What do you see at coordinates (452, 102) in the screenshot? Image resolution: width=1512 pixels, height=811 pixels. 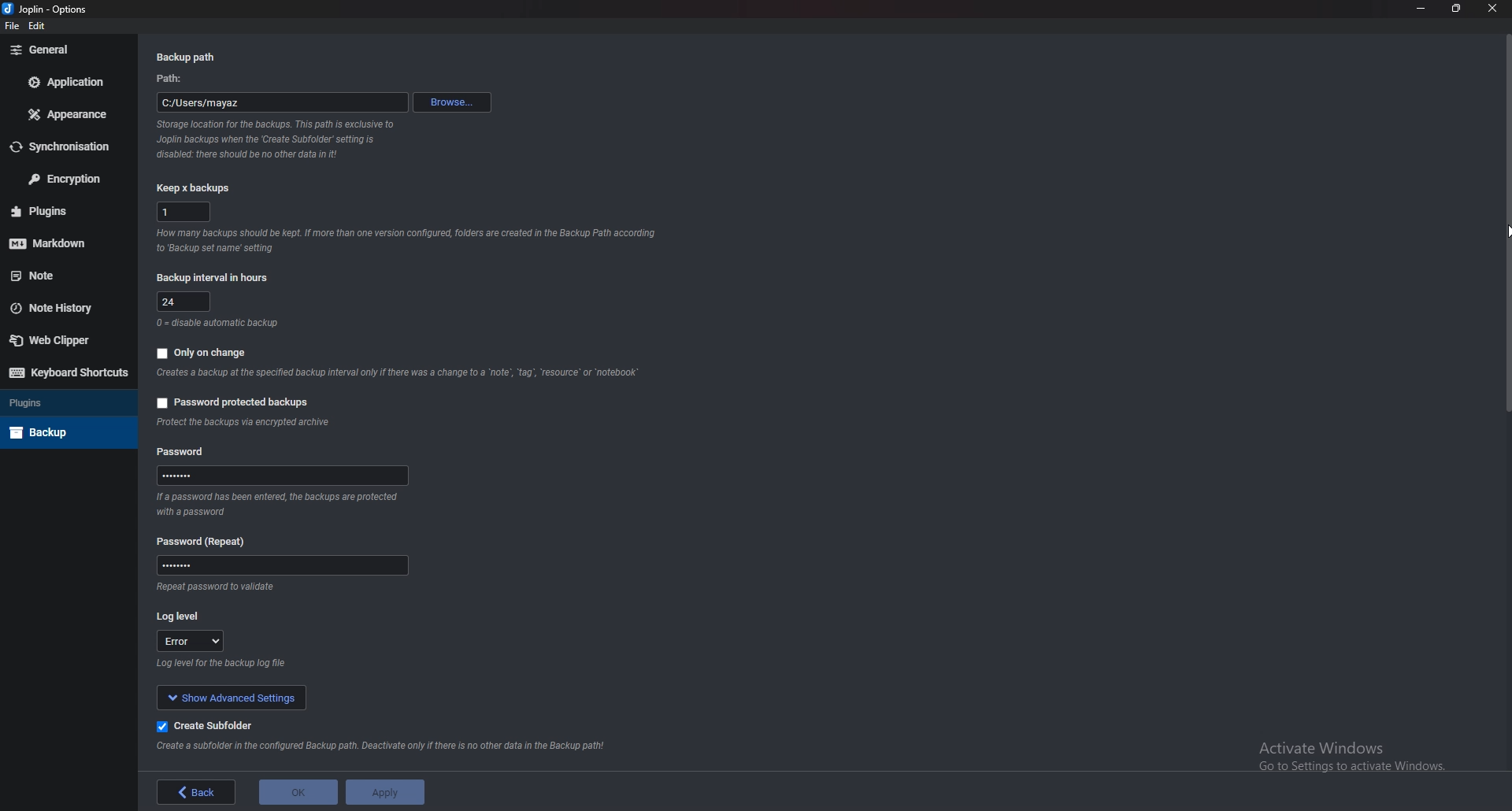 I see `Browse` at bounding box center [452, 102].